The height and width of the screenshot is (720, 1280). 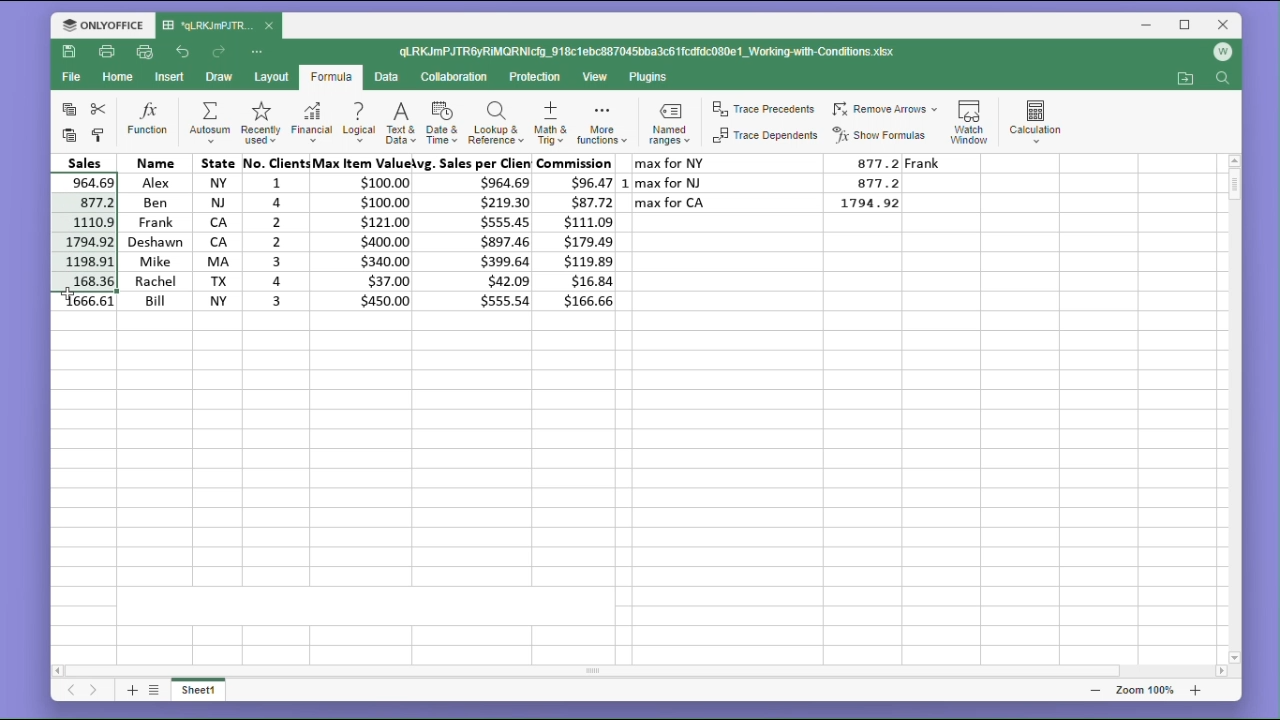 I want to click on formula, so click(x=330, y=78).